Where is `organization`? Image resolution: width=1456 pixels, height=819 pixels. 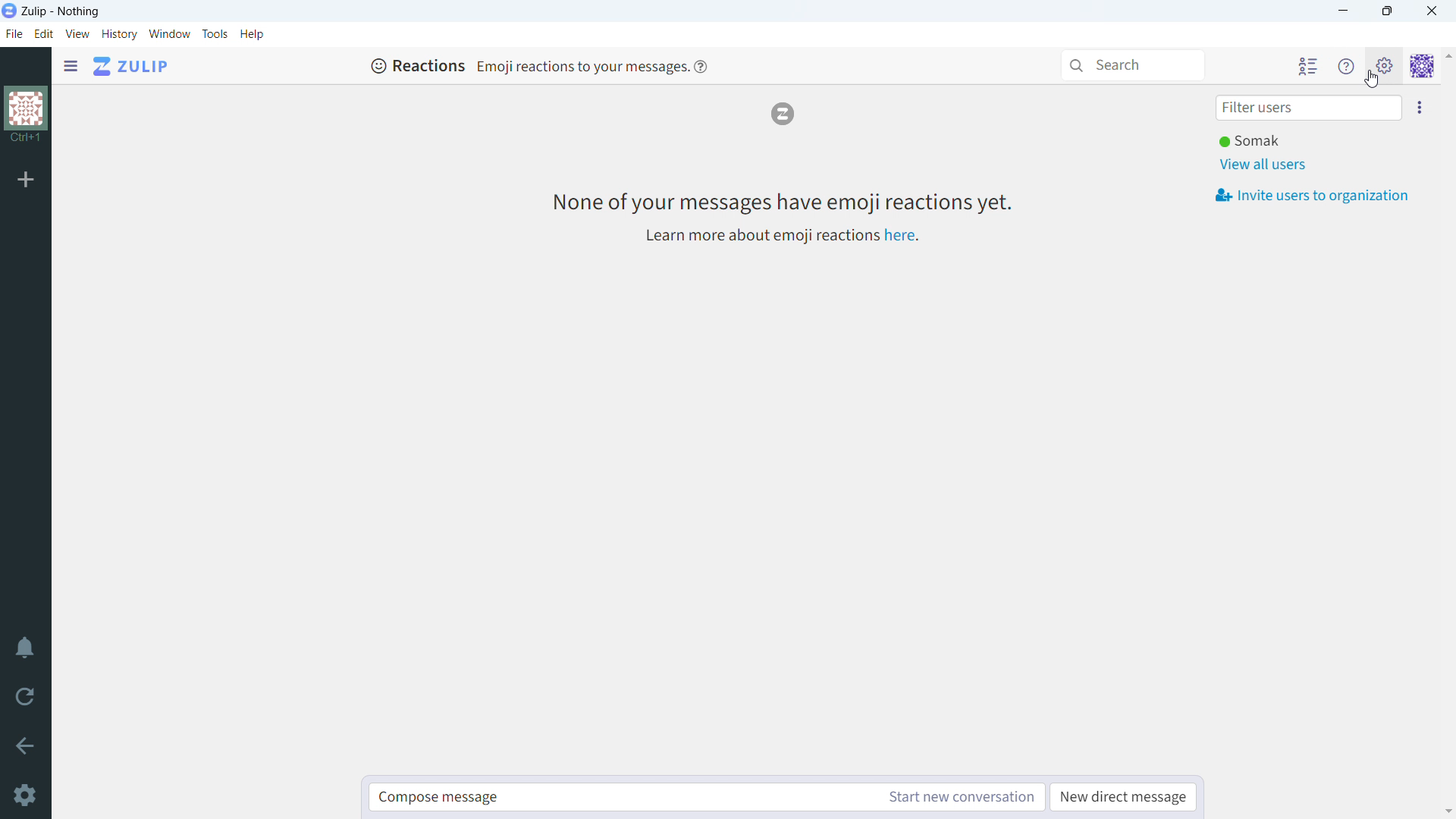 organization is located at coordinates (25, 116).